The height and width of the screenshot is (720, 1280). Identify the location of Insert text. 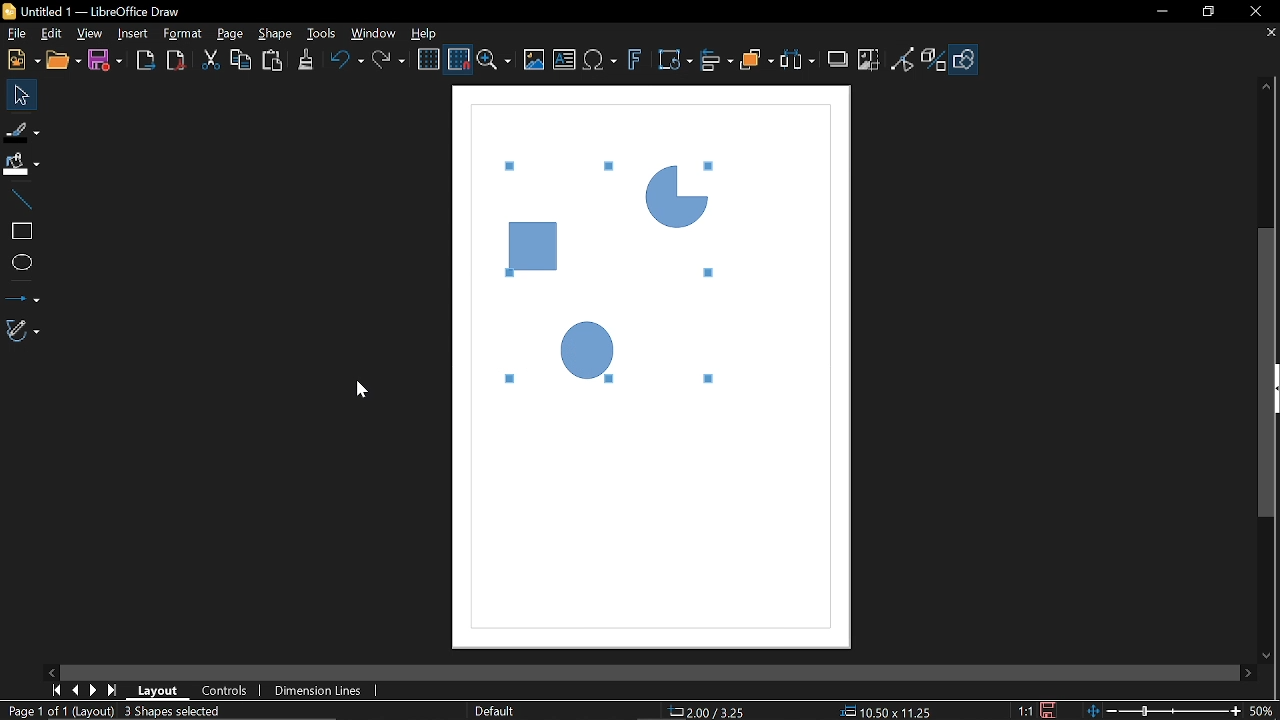
(563, 60).